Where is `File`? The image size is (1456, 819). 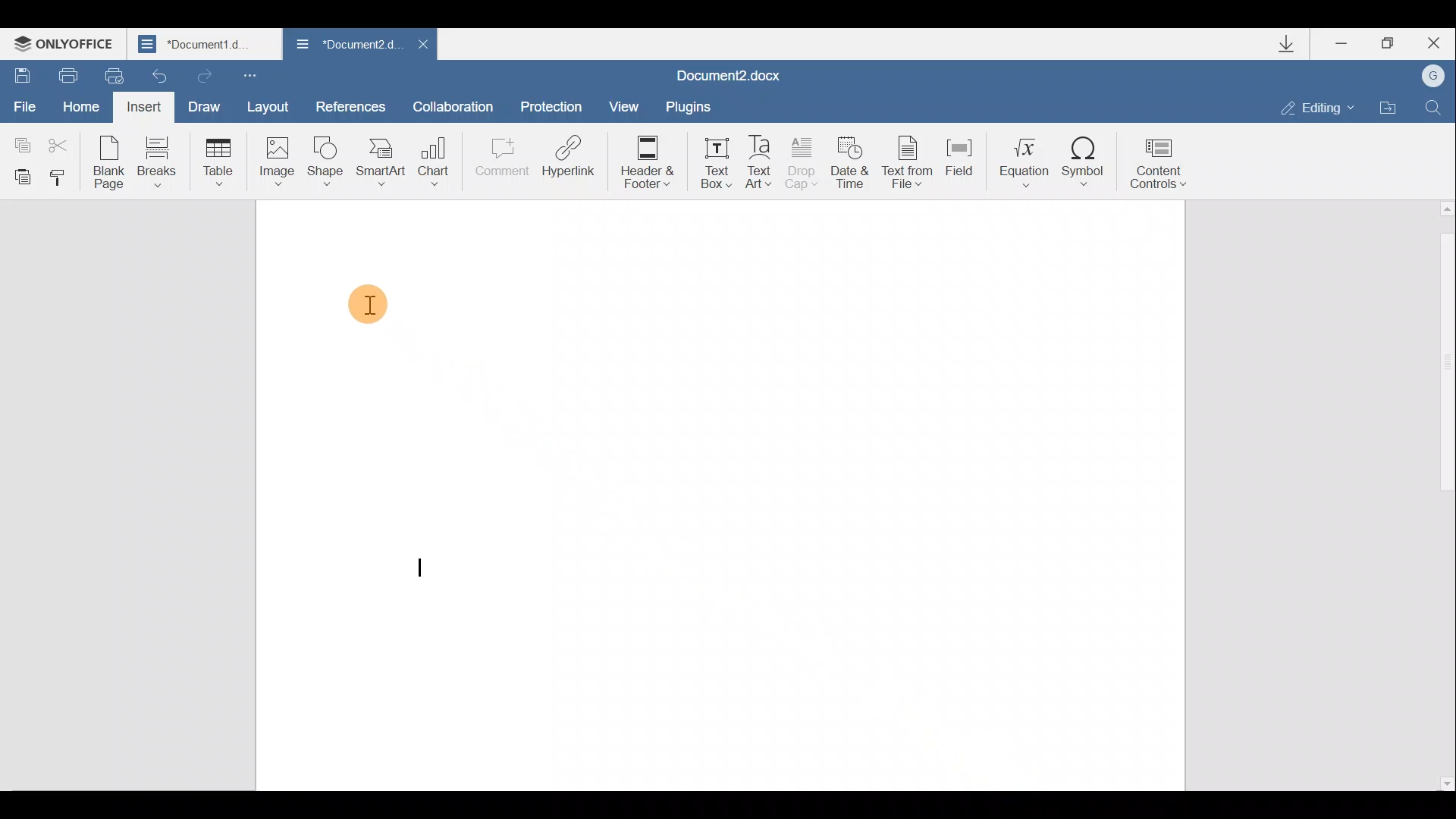
File is located at coordinates (23, 101).